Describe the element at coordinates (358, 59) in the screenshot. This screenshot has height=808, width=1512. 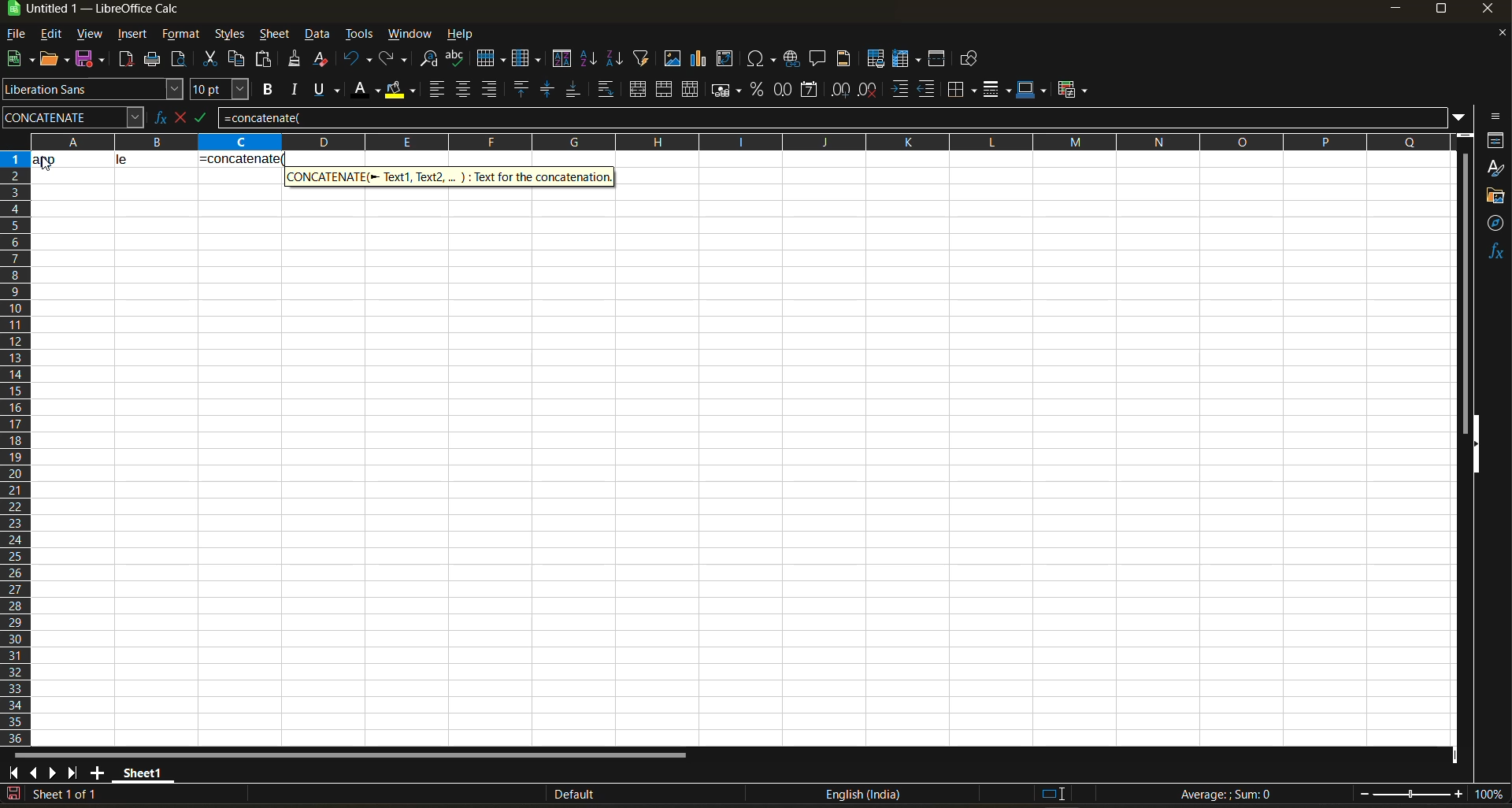
I see `undo` at that location.